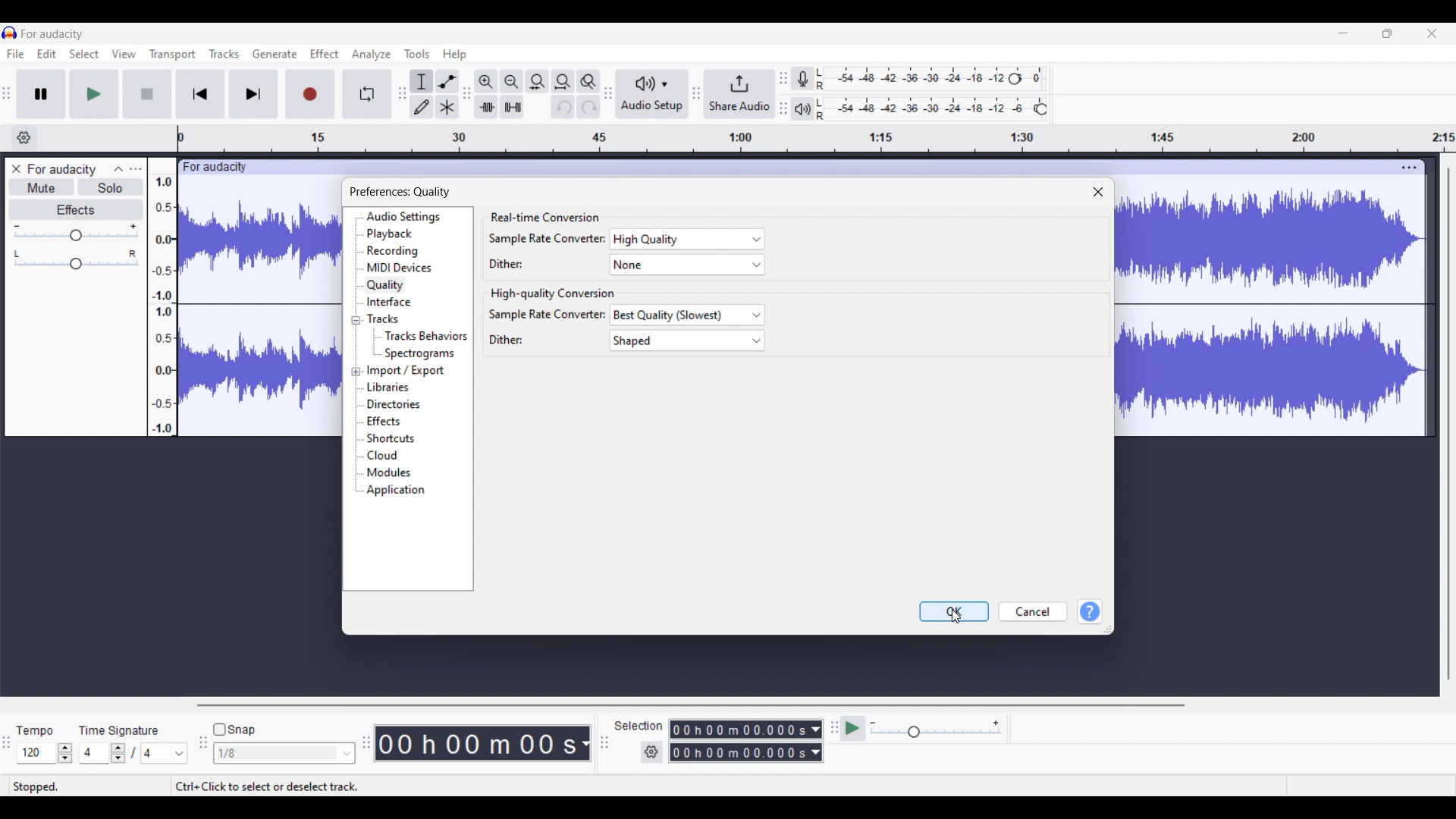  What do you see at coordinates (422, 81) in the screenshot?
I see `Selection tool` at bounding box center [422, 81].